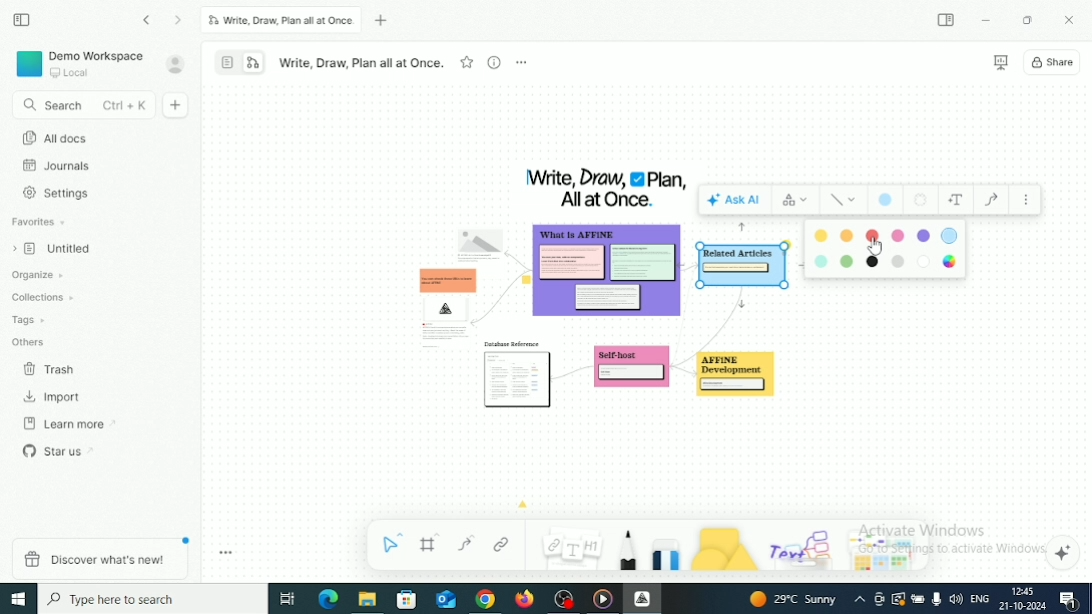 This screenshot has height=614, width=1092. What do you see at coordinates (480, 239) in the screenshot?
I see `Image` at bounding box center [480, 239].